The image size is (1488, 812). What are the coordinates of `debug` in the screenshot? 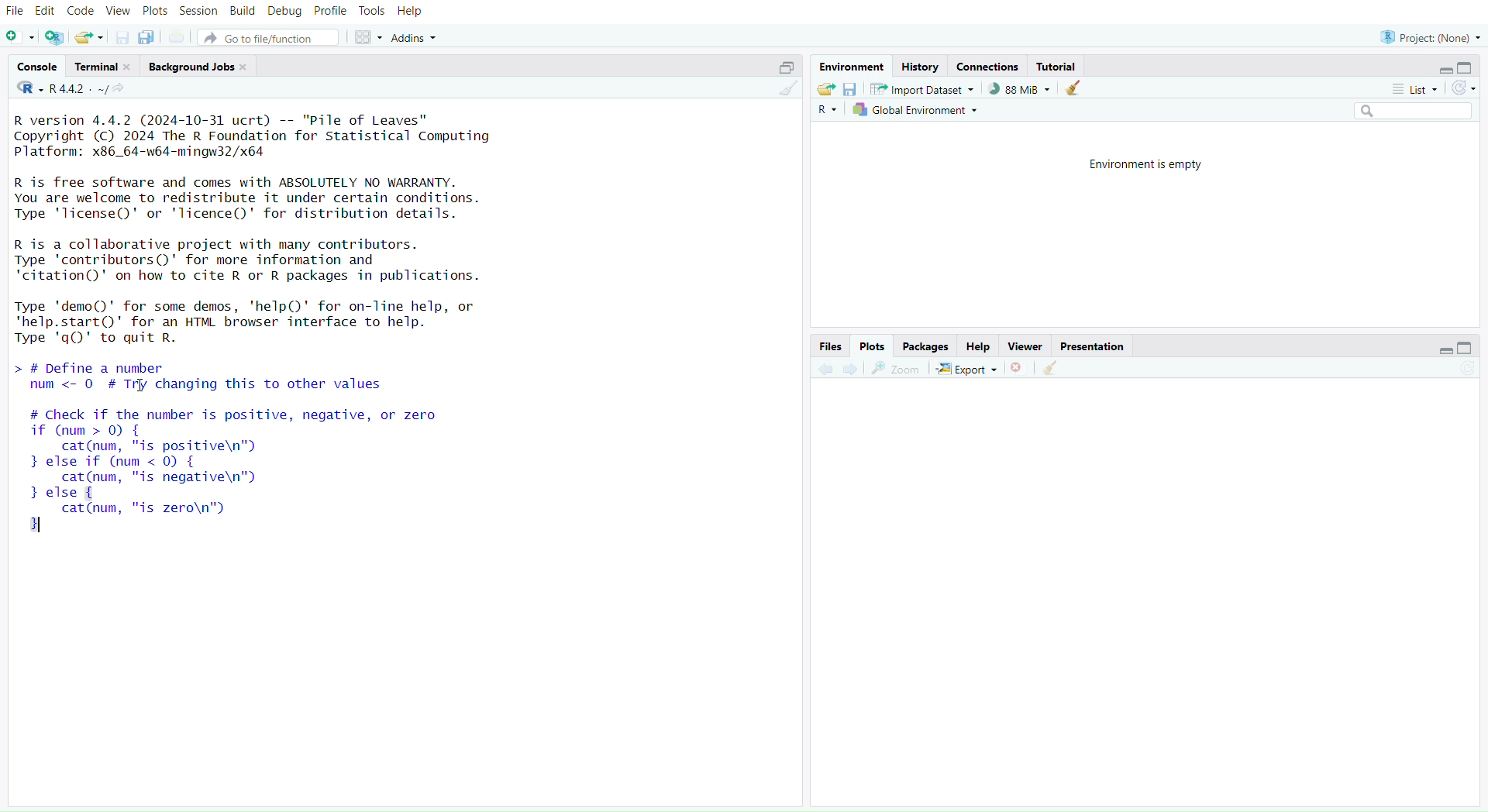 It's located at (284, 12).